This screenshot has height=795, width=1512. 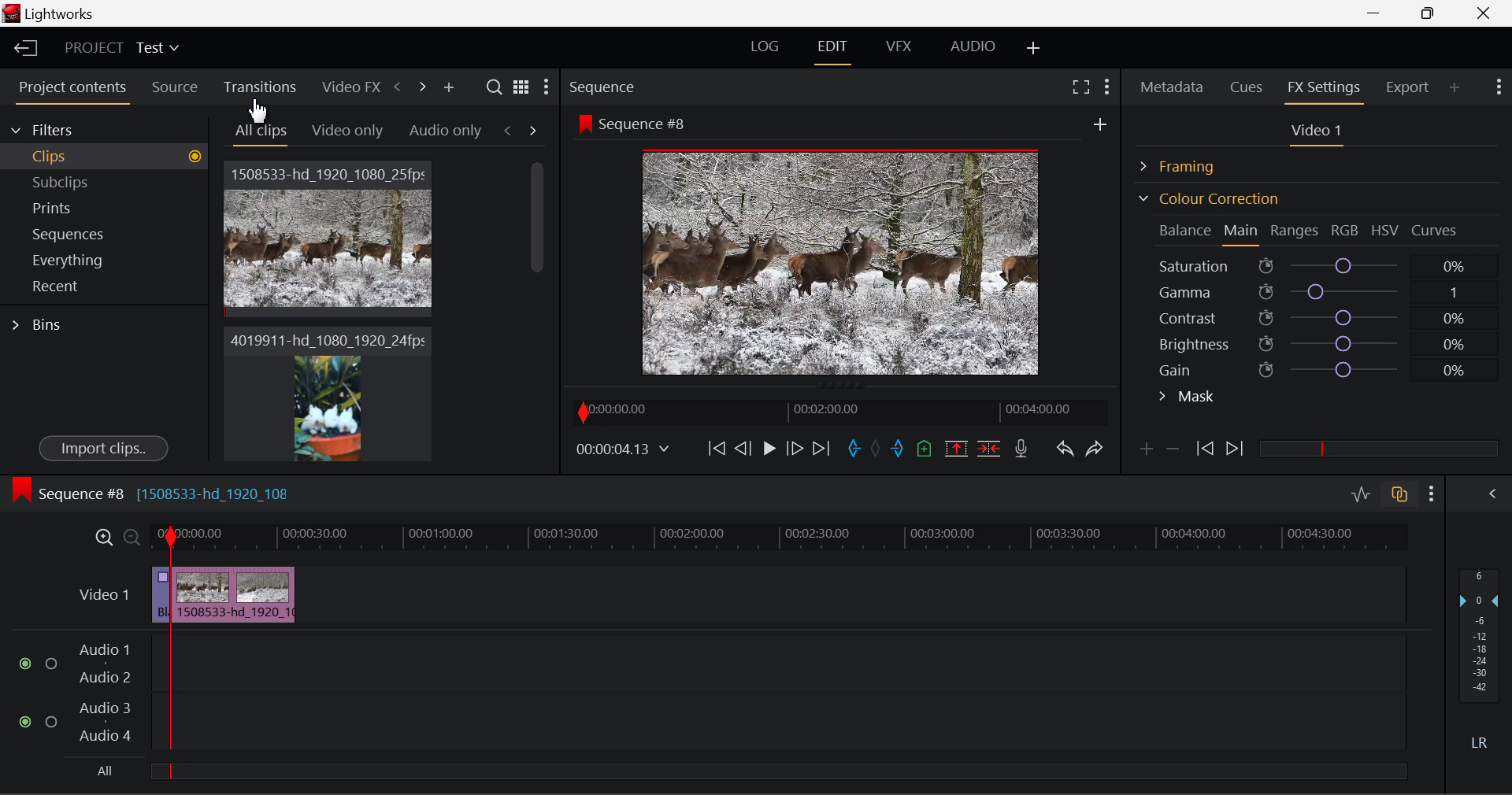 I want to click on Next Tab, so click(x=534, y=129).